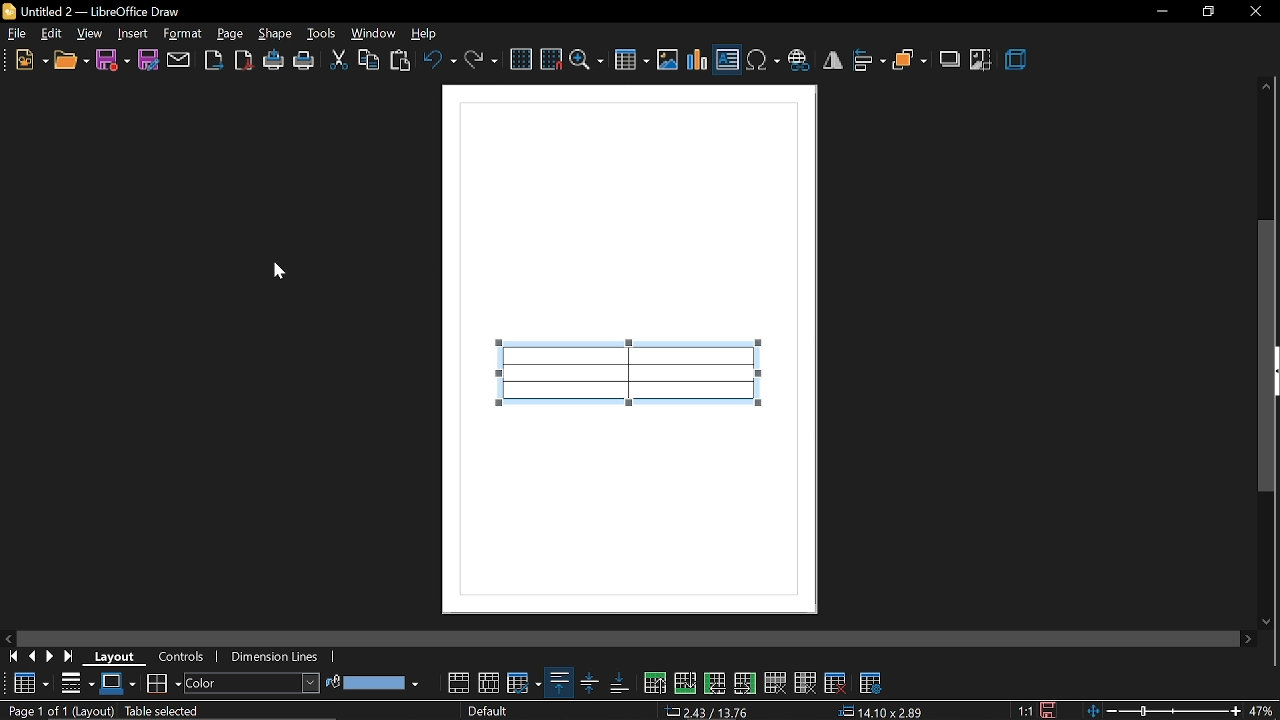 This screenshot has width=1280, height=720. Describe the element at coordinates (71, 62) in the screenshot. I see `open` at that location.